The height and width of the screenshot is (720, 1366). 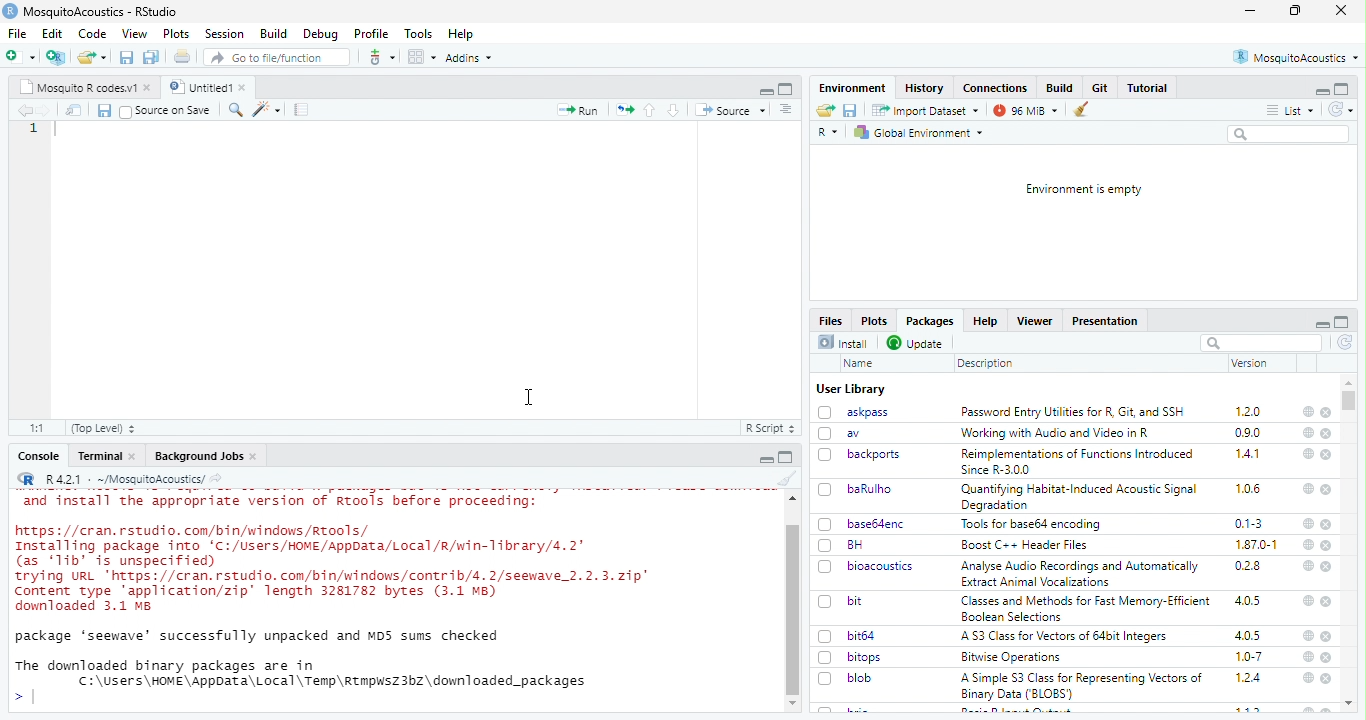 I want to click on cursor, so click(x=527, y=394).